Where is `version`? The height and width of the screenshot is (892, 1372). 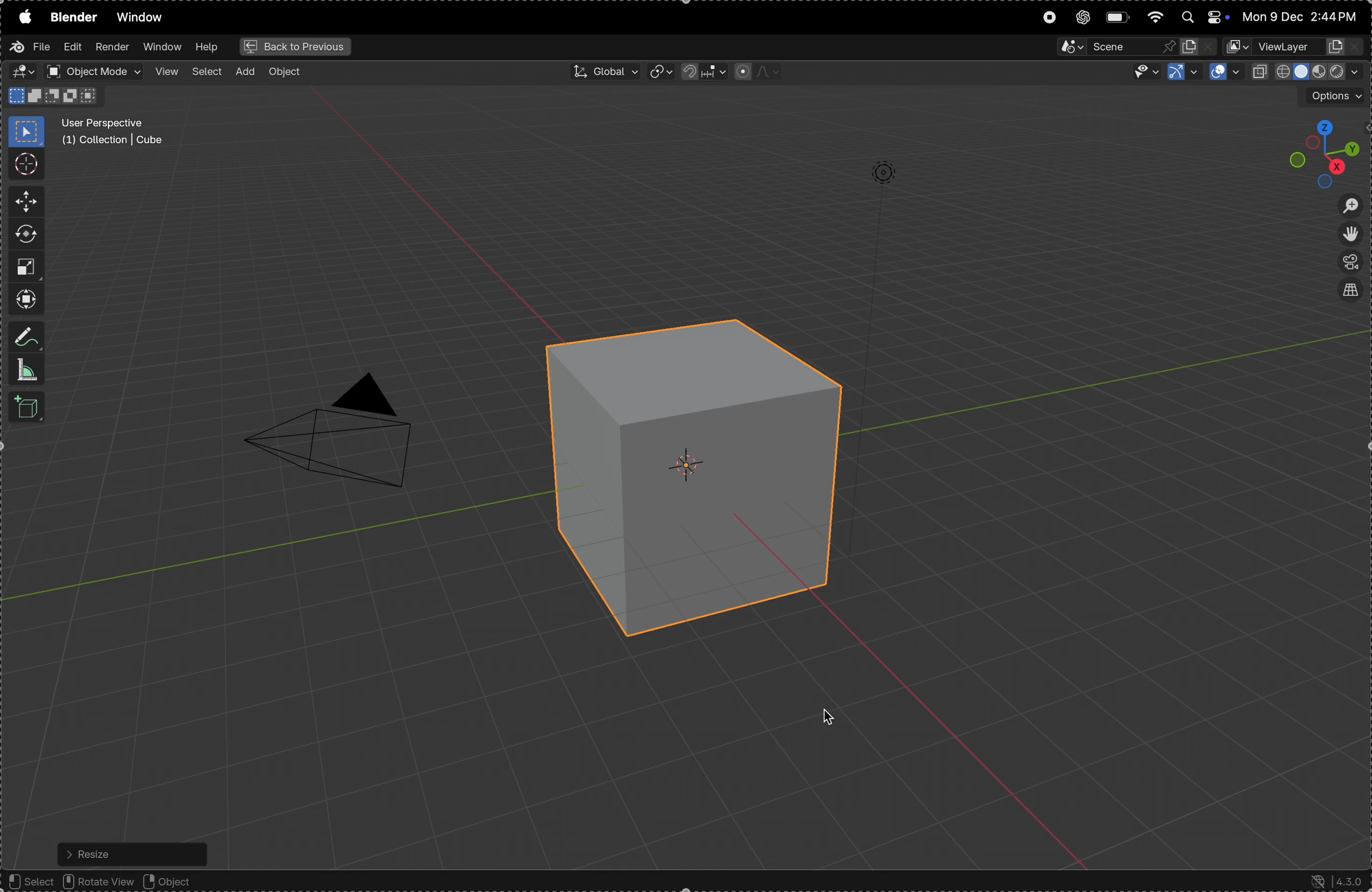
version is located at coordinates (1339, 881).